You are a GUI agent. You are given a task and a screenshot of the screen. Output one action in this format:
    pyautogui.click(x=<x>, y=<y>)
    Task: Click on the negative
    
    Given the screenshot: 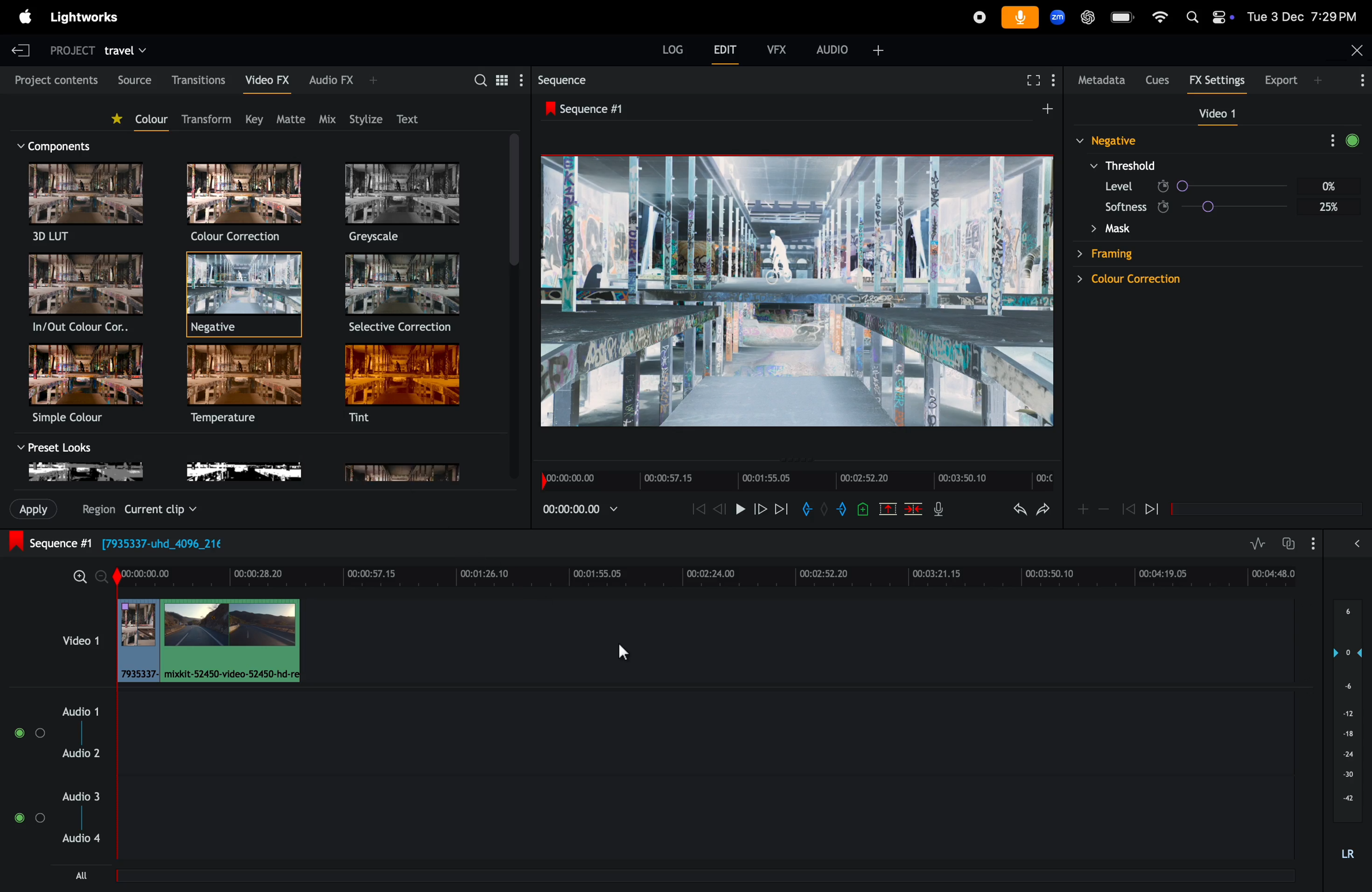 What is the action you would take?
    pyautogui.click(x=246, y=296)
    